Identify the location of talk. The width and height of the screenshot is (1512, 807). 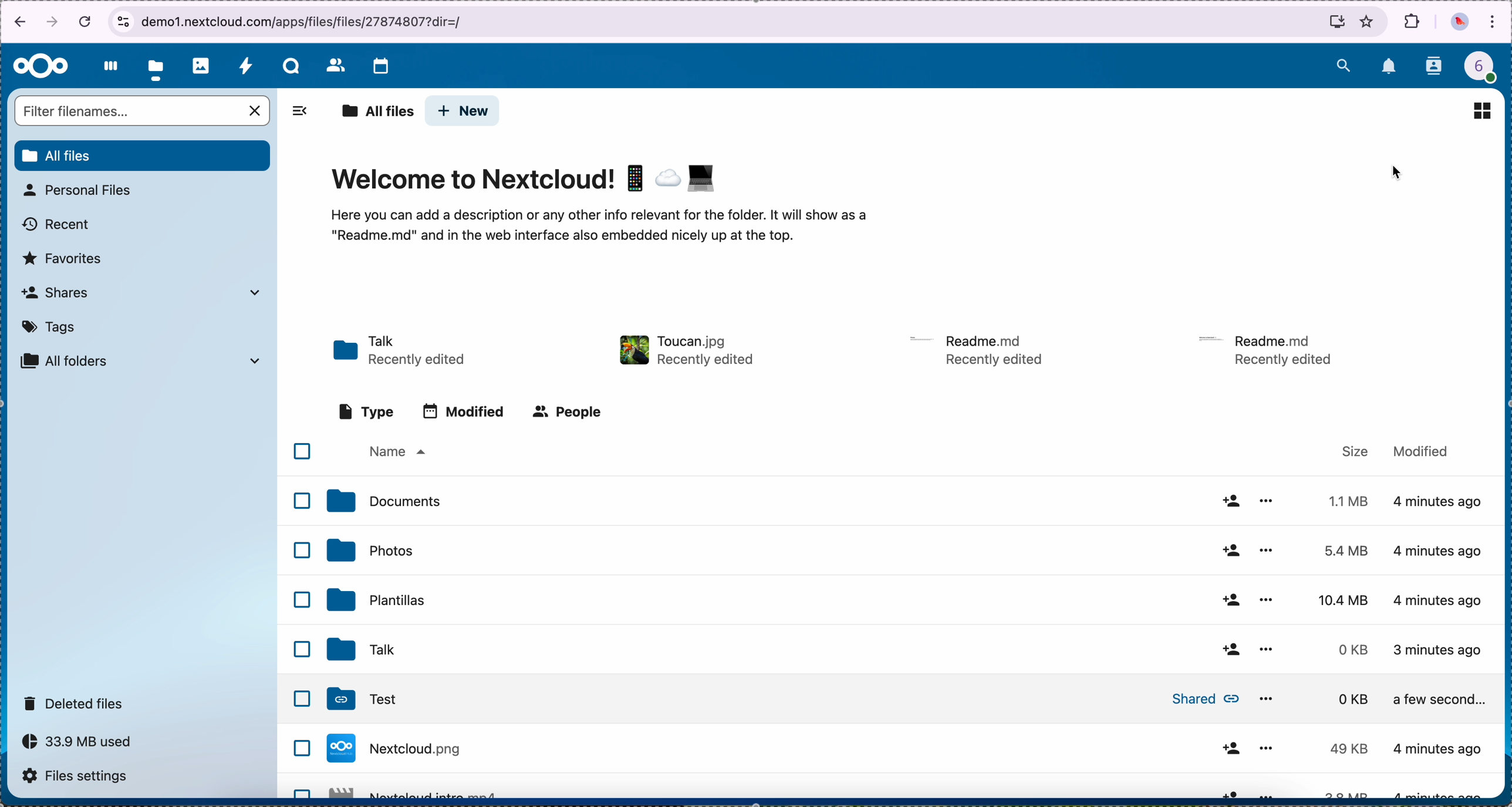
(358, 650).